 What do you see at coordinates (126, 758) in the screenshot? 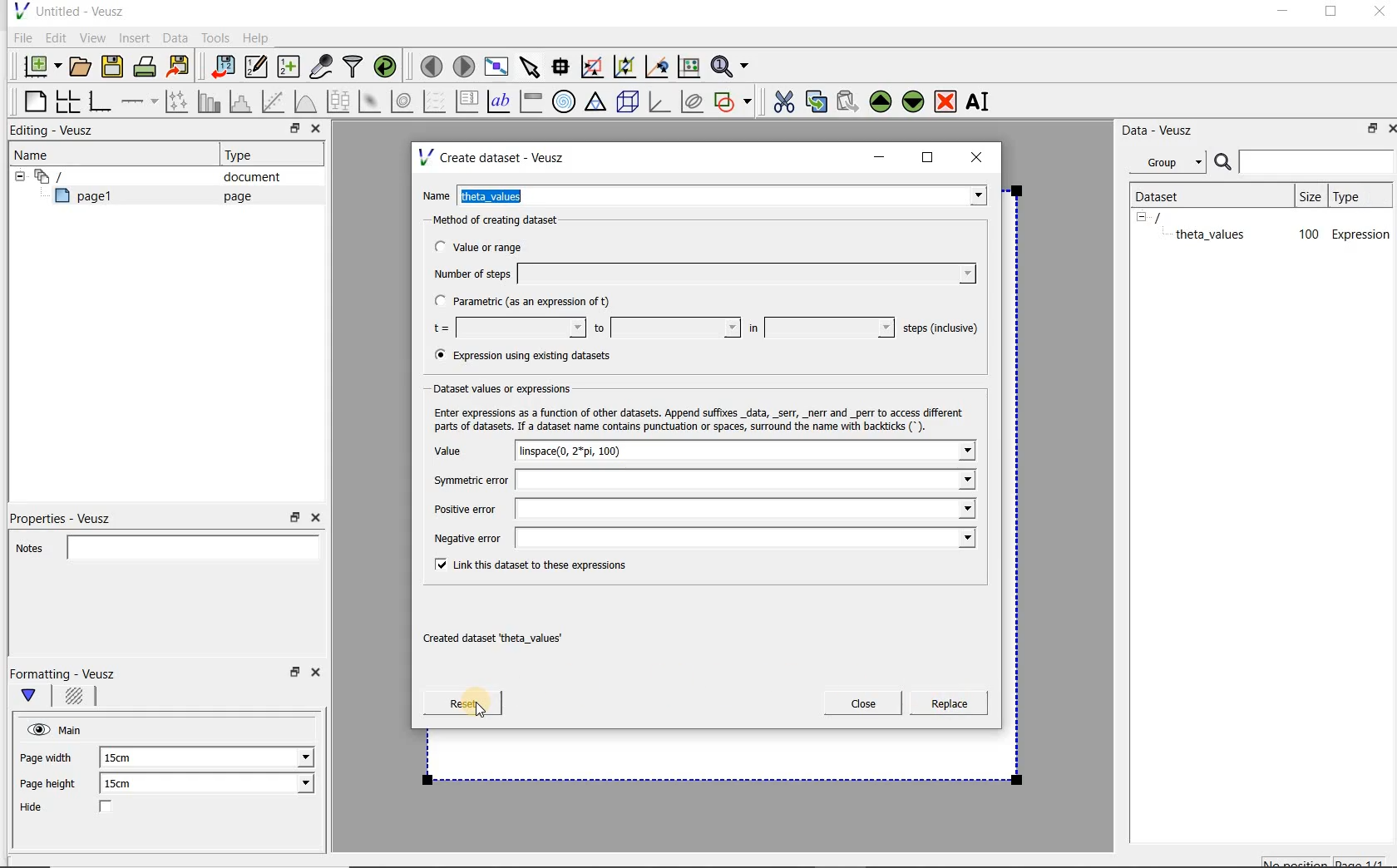
I see `15cm` at bounding box center [126, 758].